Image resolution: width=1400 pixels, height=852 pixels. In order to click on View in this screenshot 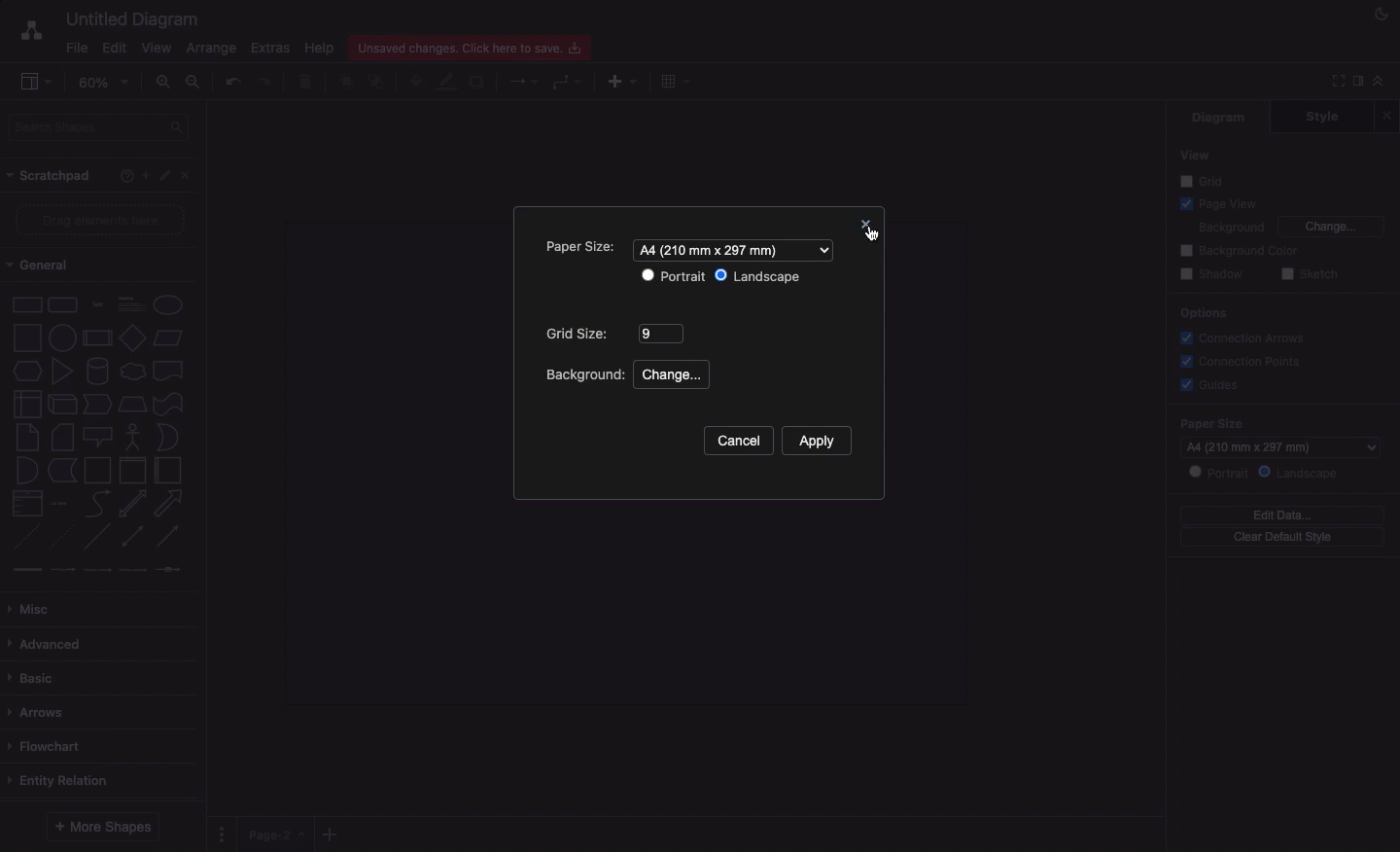, I will do `click(157, 47)`.